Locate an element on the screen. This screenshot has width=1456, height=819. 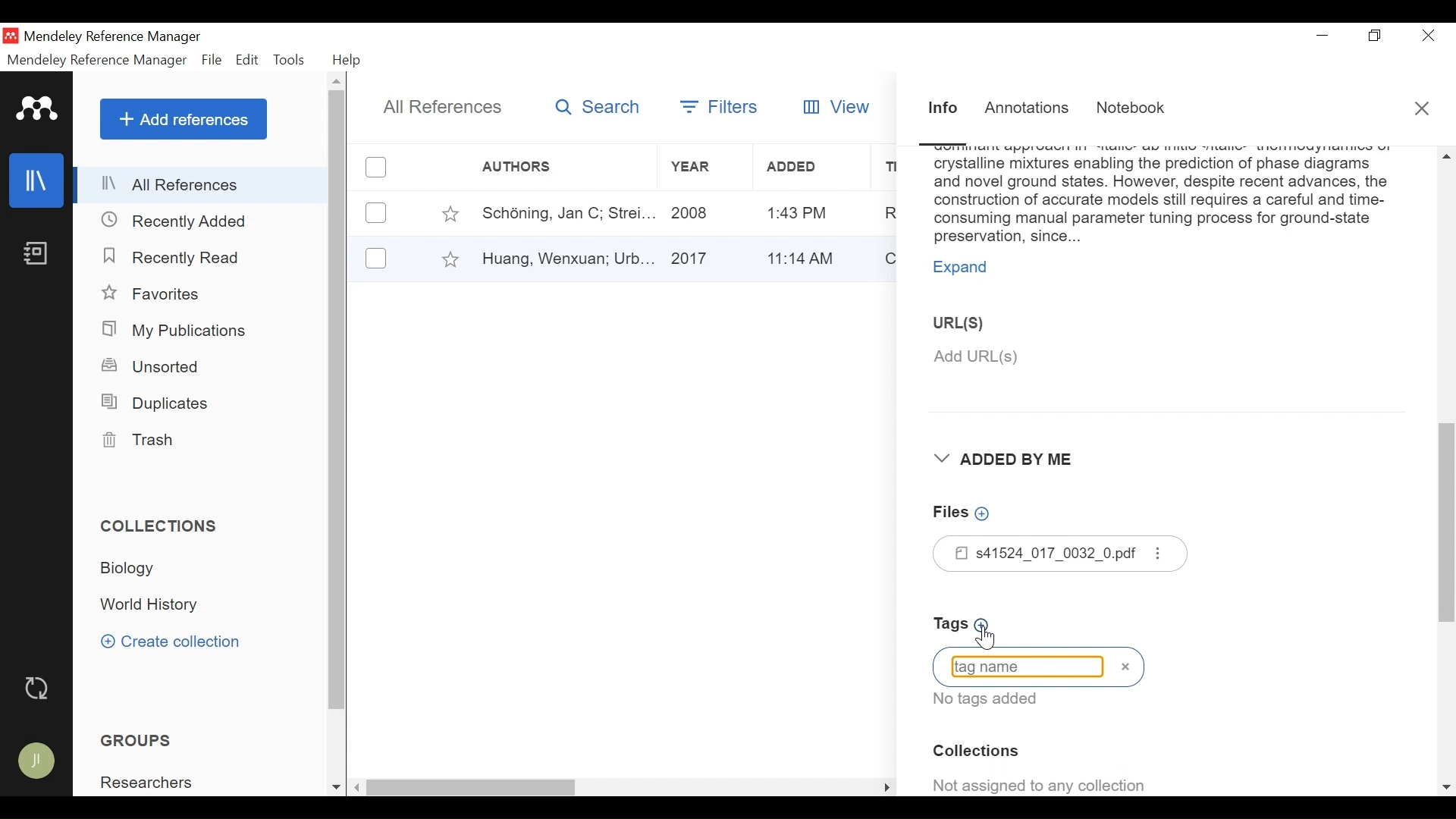
(un)select is located at coordinates (376, 258).